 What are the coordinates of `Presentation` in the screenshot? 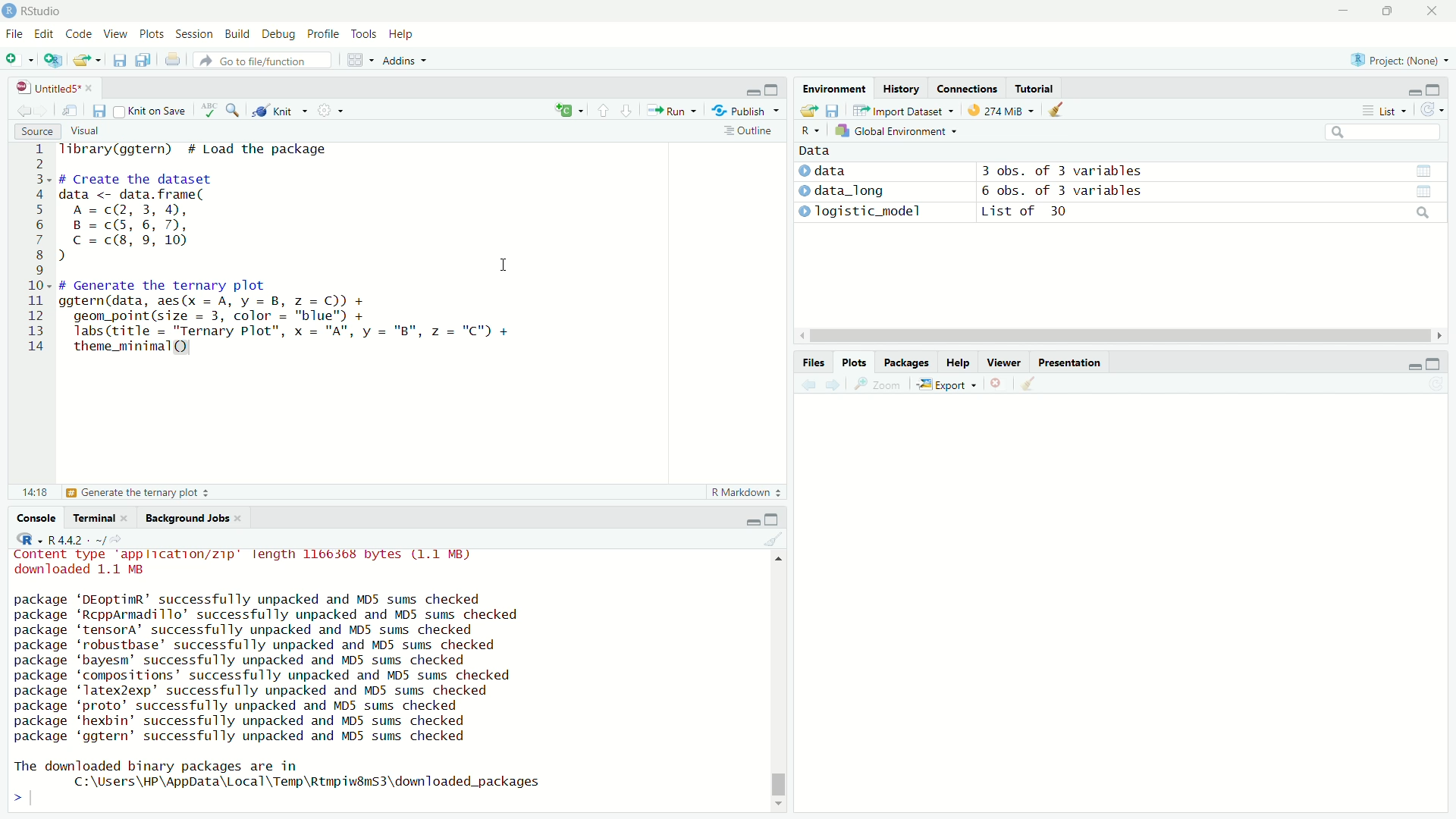 It's located at (1072, 362).